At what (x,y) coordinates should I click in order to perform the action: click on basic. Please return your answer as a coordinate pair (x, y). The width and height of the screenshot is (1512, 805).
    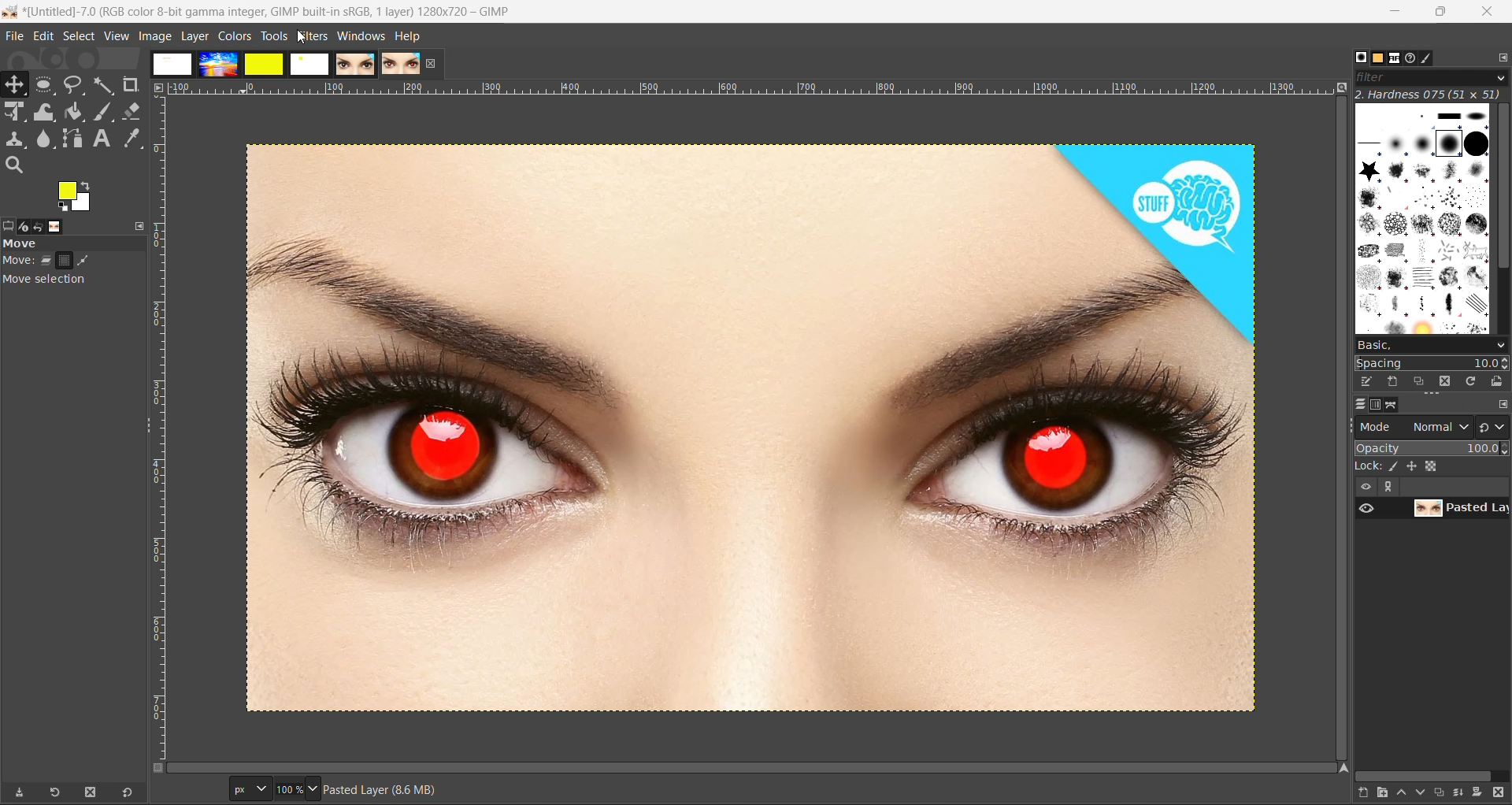
    Looking at the image, I should click on (1433, 347).